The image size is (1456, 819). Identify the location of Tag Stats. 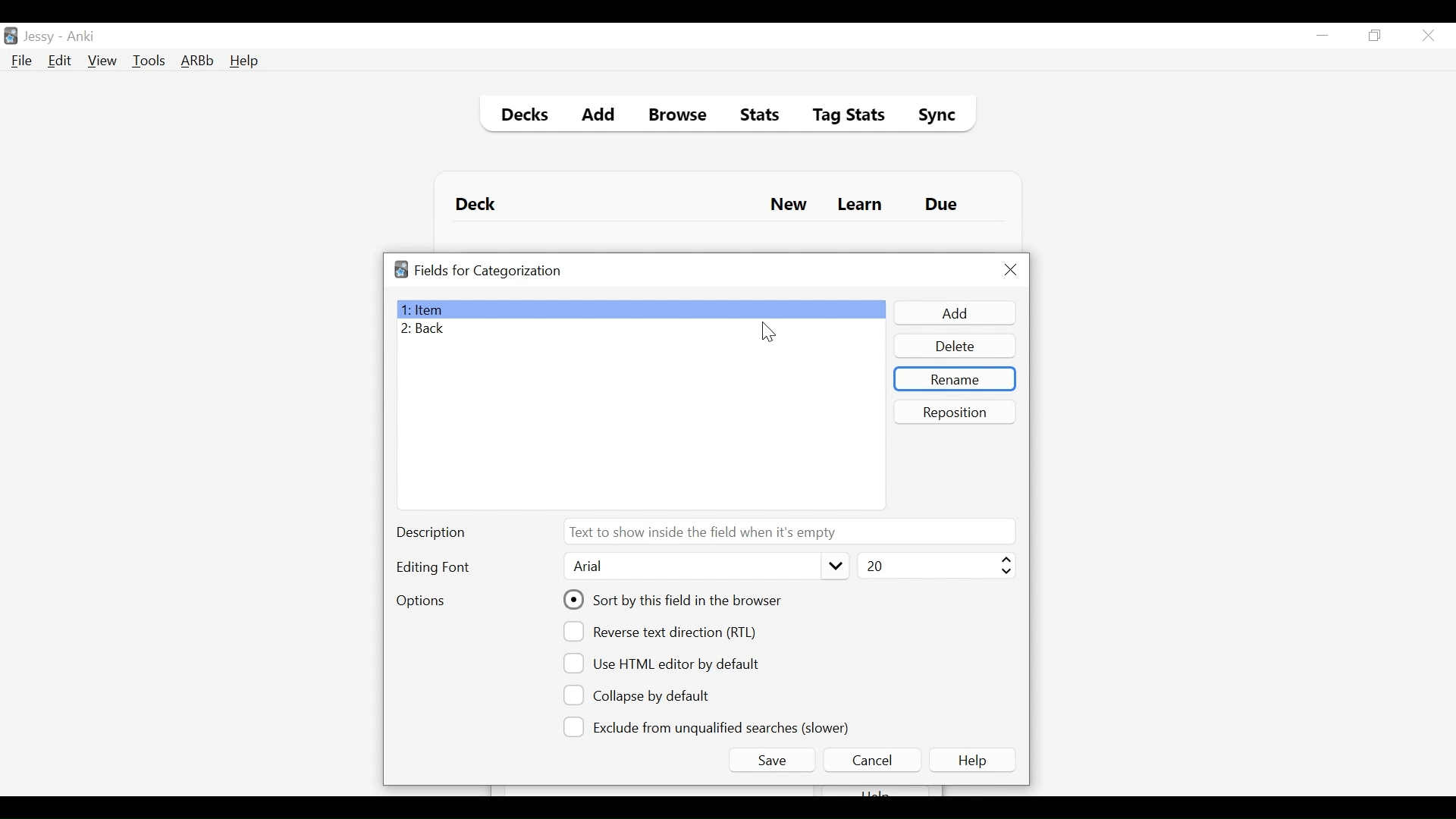
(840, 117).